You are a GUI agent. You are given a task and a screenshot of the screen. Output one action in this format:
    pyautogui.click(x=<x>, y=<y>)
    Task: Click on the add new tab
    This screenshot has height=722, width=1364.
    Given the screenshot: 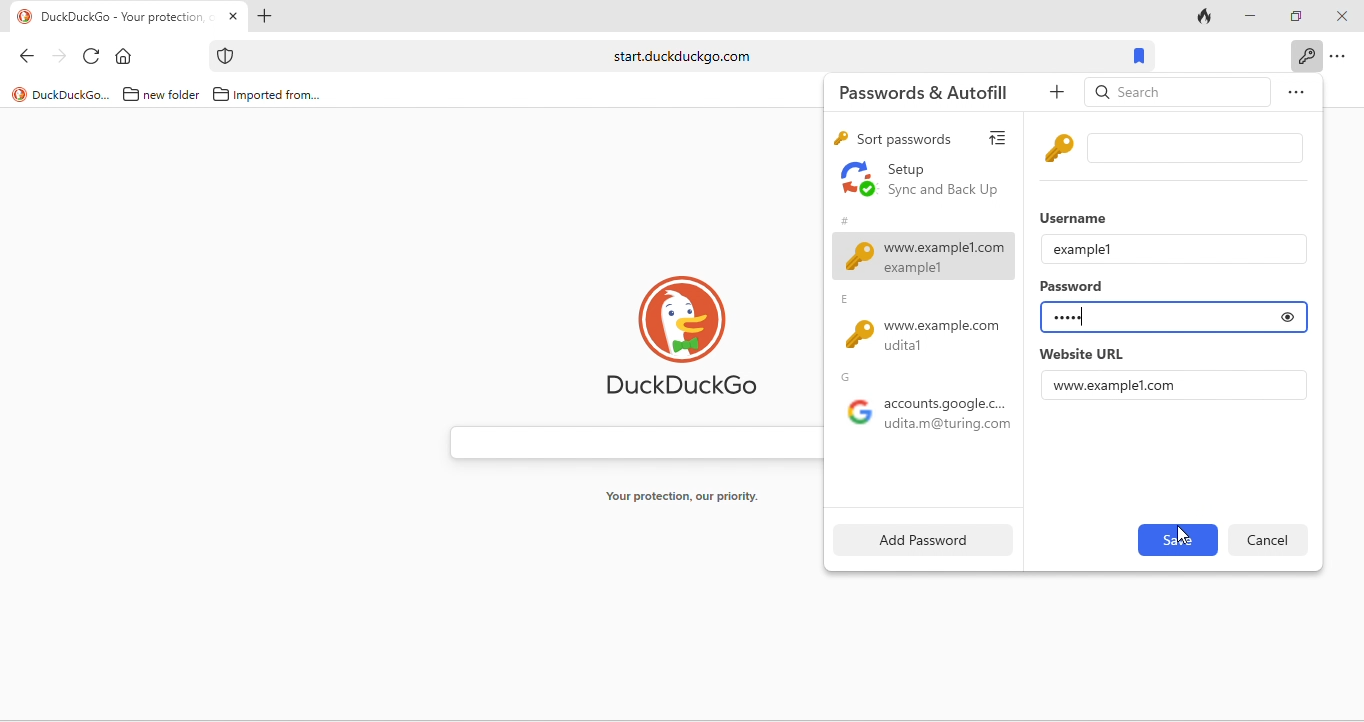 What is the action you would take?
    pyautogui.click(x=267, y=16)
    